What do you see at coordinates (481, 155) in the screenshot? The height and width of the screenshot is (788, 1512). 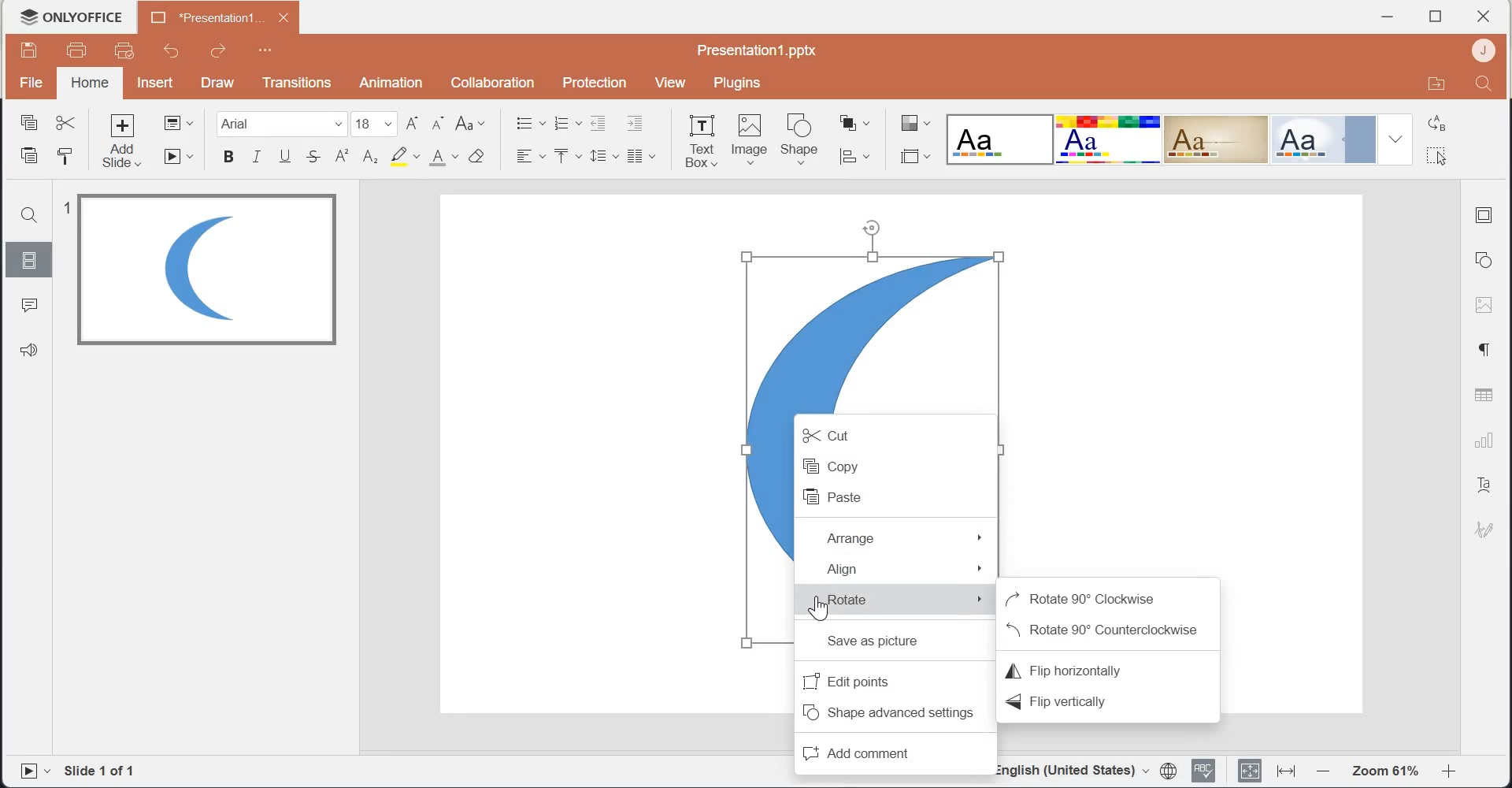 I see `Clear style` at bounding box center [481, 155].